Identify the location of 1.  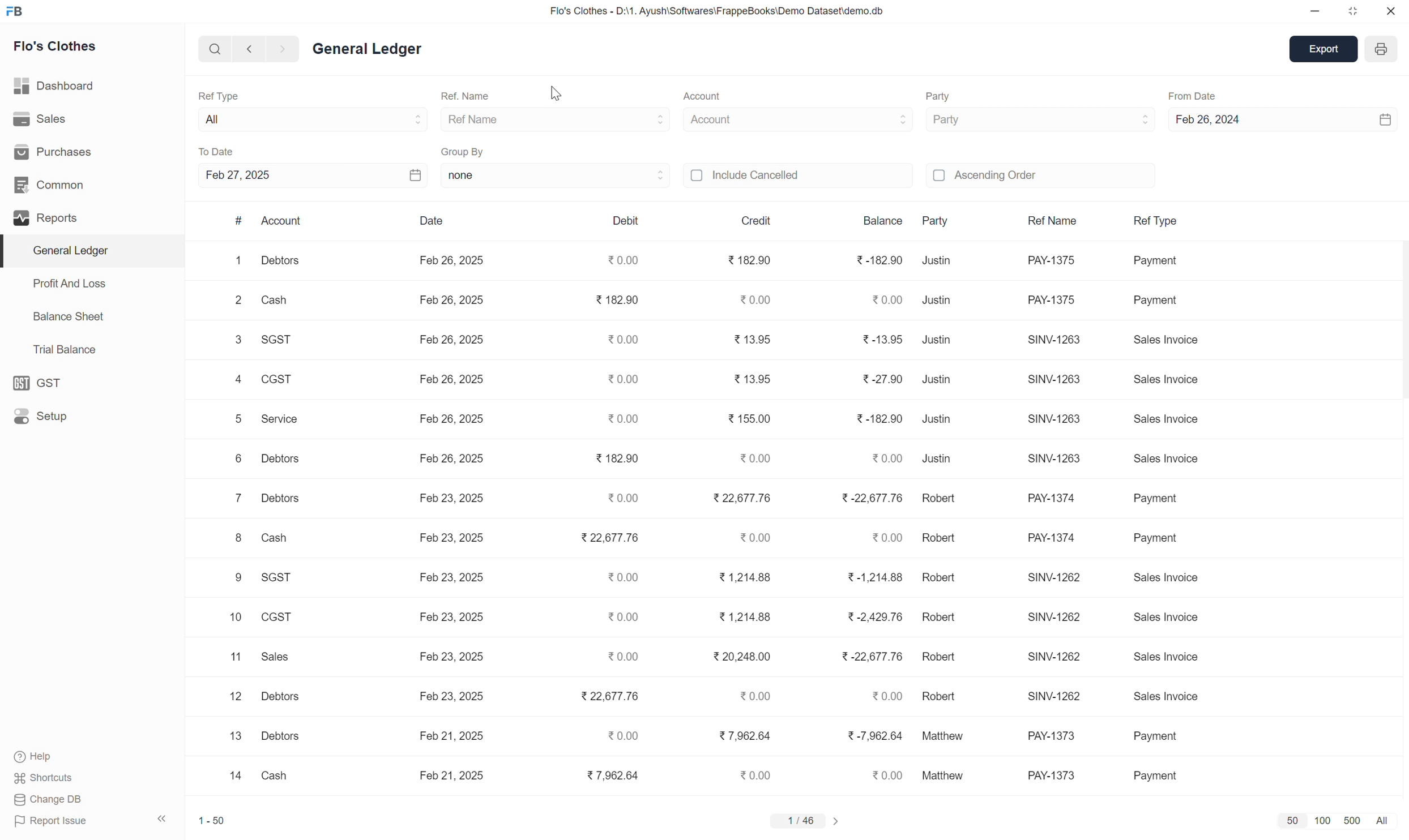
(240, 263).